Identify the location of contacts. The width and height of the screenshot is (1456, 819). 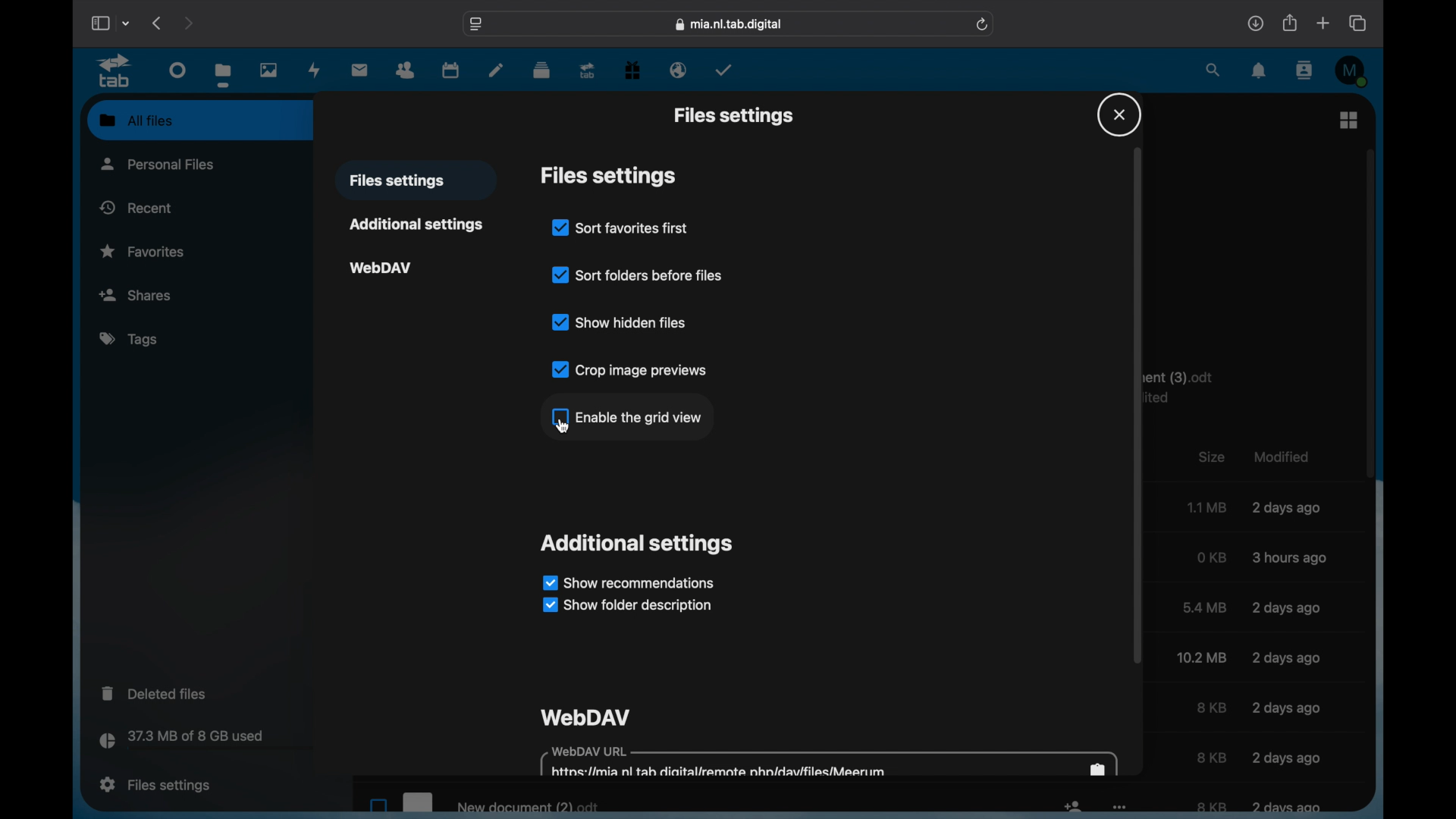
(406, 69).